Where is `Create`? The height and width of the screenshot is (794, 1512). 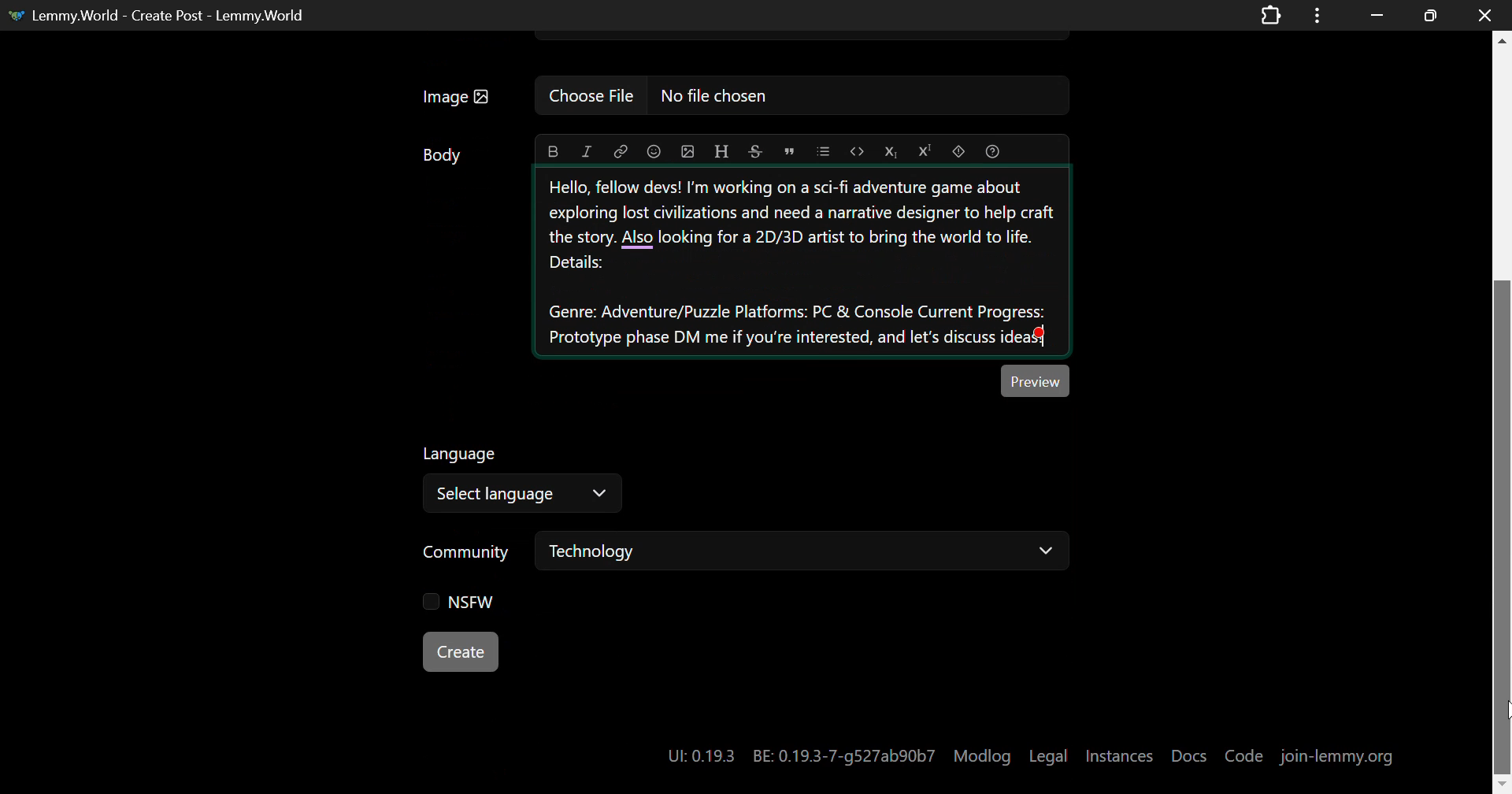 Create is located at coordinates (460, 651).